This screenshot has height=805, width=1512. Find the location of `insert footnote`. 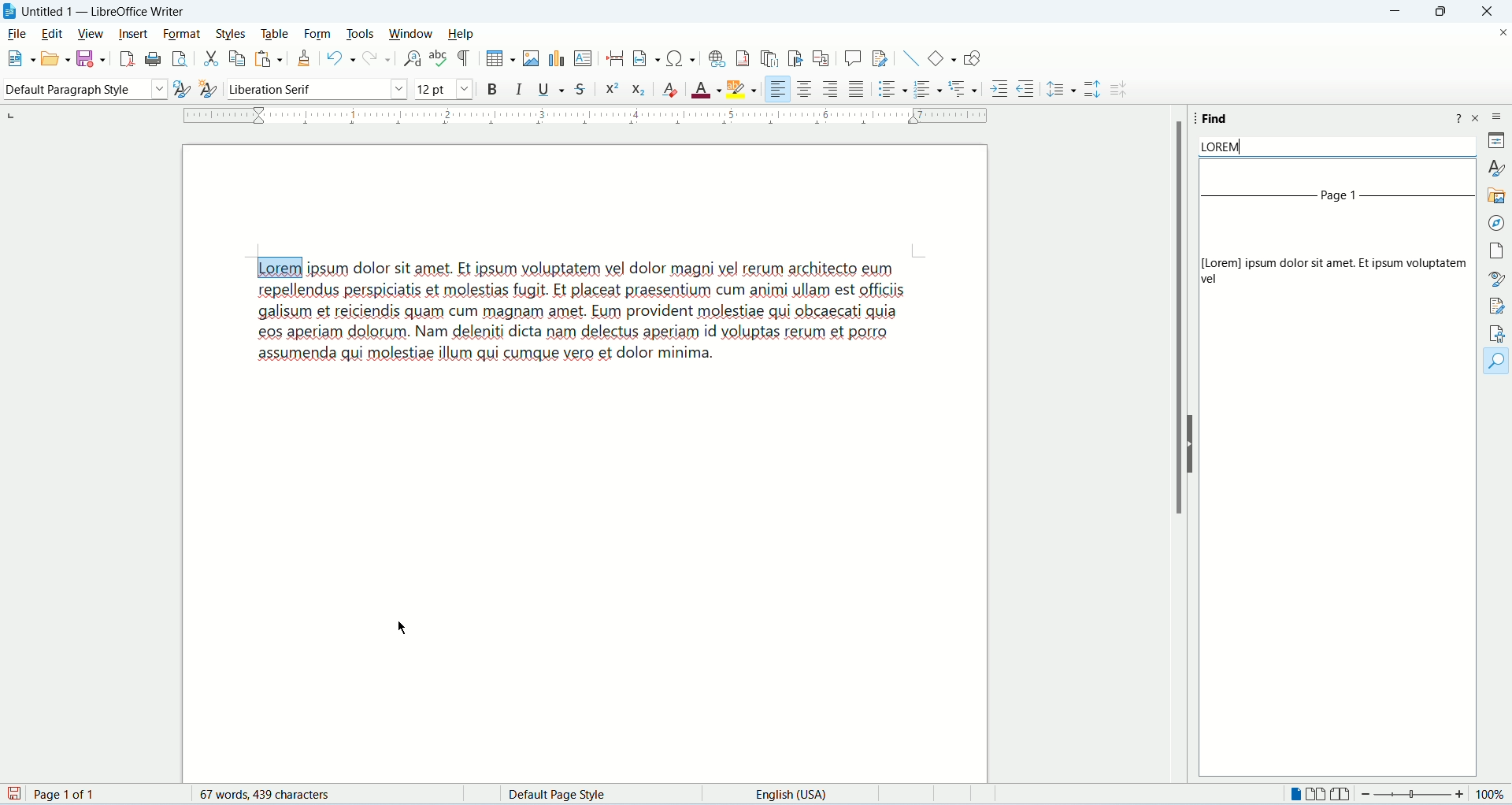

insert footnote is located at coordinates (744, 61).